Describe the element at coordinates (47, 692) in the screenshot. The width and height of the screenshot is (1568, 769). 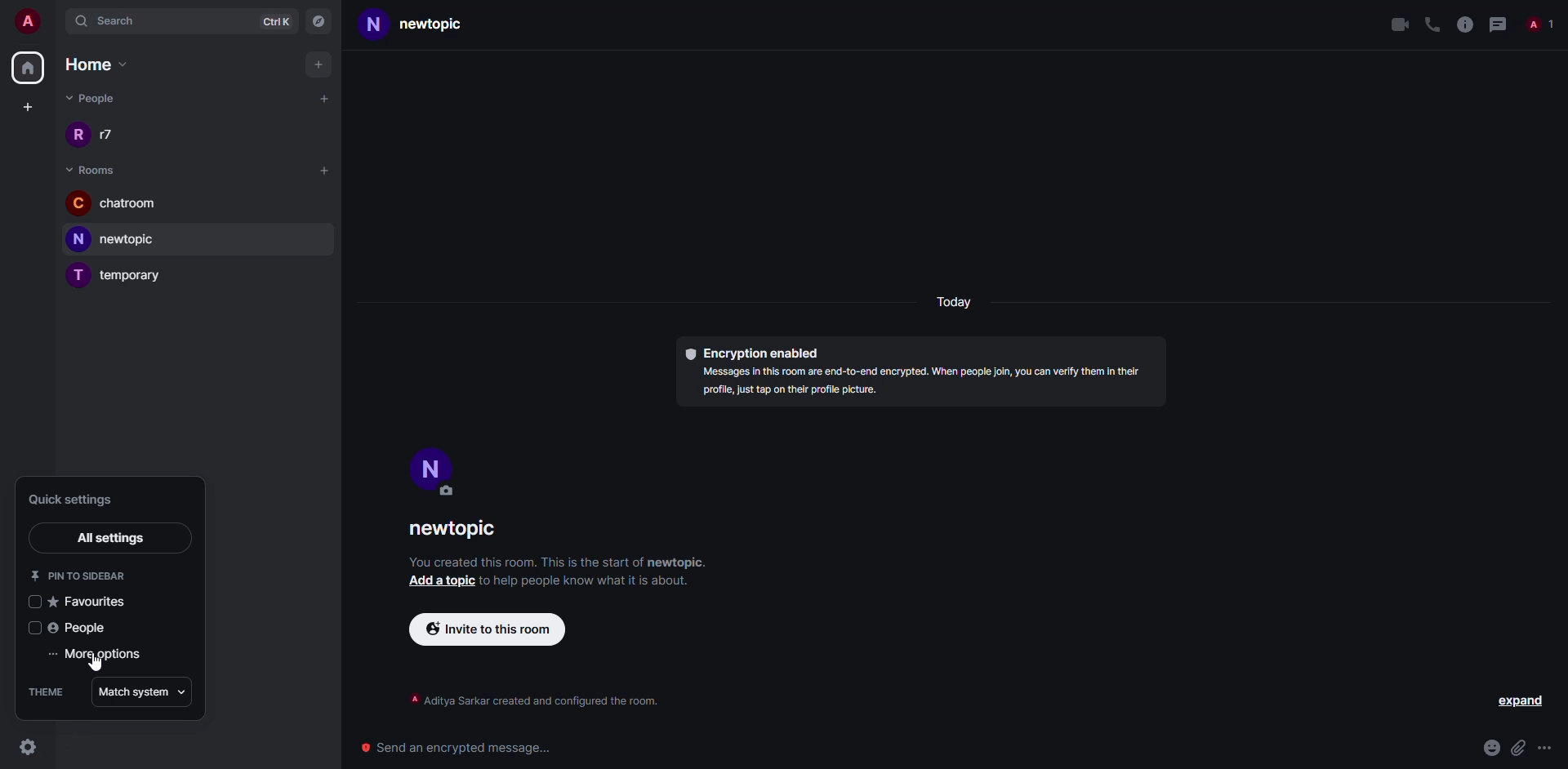
I see `theme` at that location.